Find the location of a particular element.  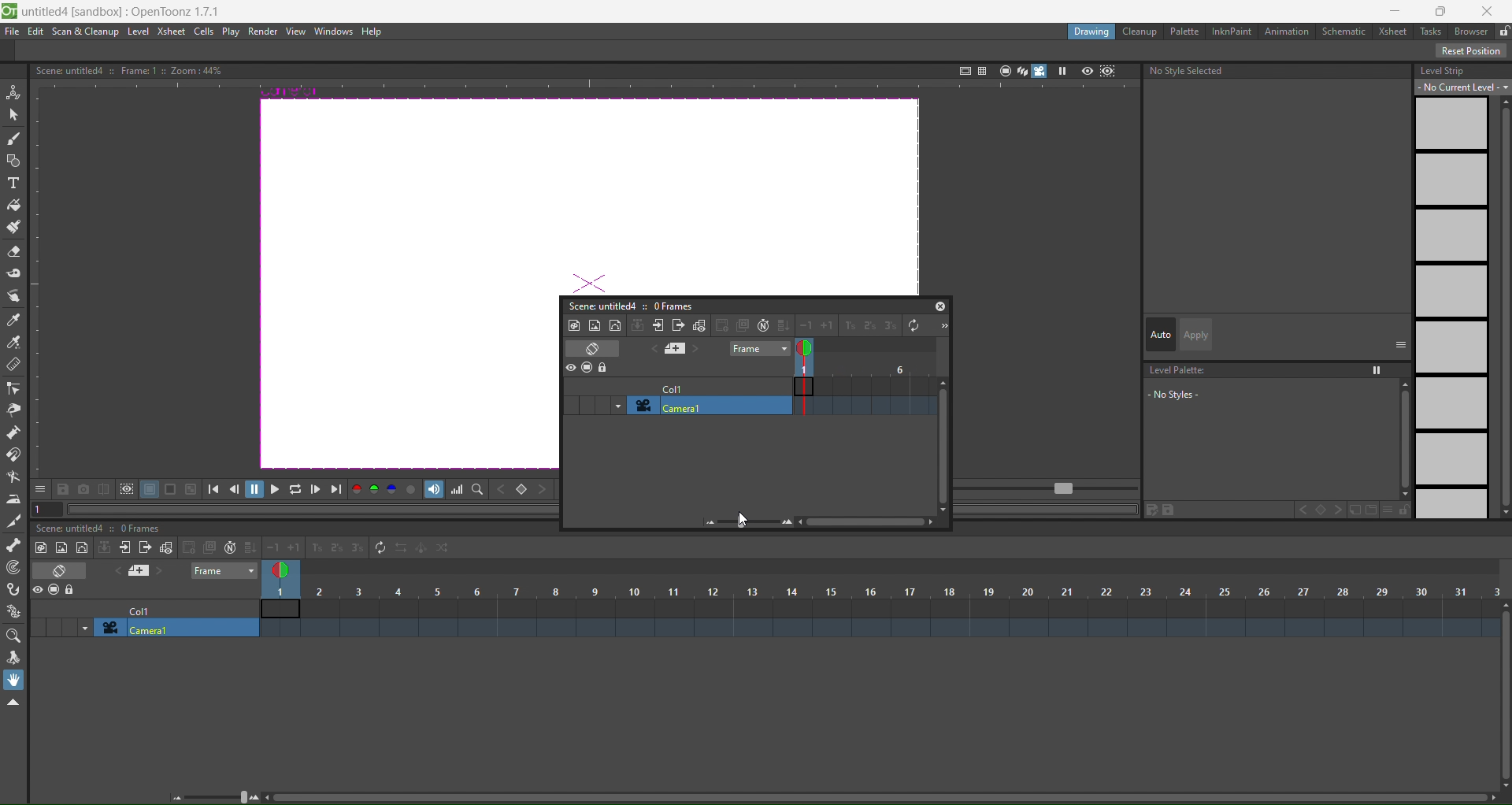

cleanup is located at coordinates (1140, 32).